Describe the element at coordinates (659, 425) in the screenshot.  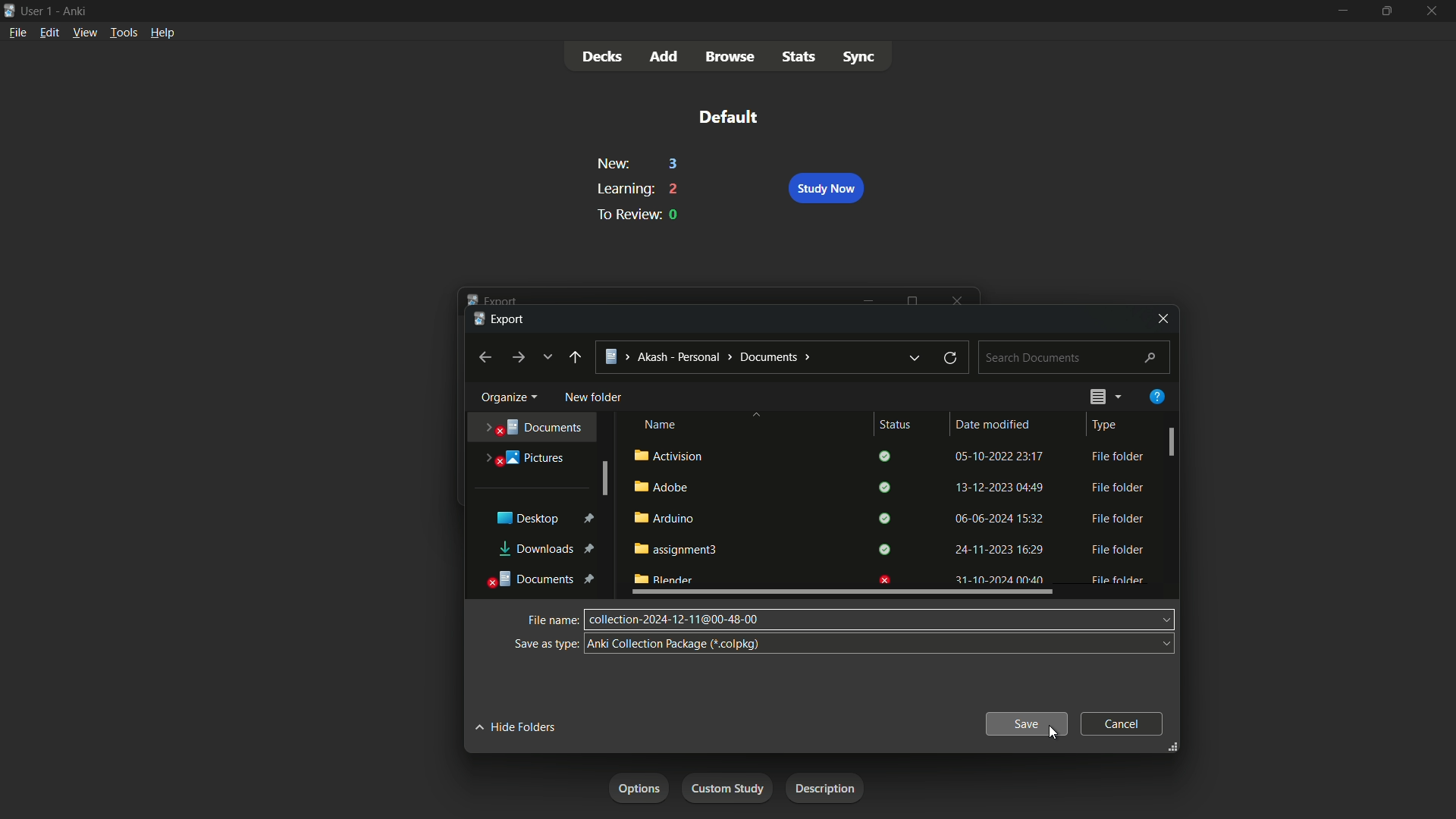
I see `name` at that location.